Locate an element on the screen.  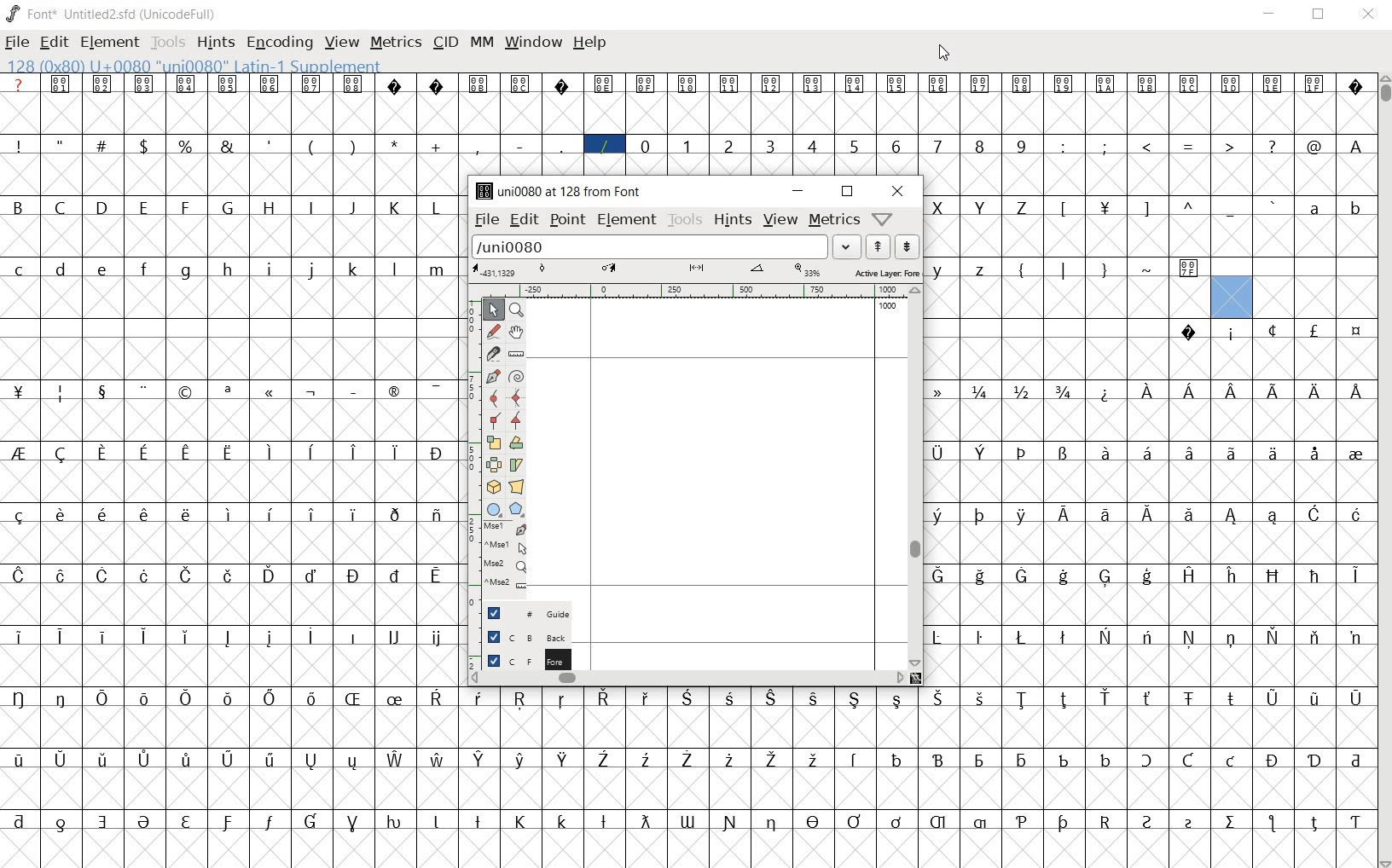
RESTORE is located at coordinates (1322, 16).